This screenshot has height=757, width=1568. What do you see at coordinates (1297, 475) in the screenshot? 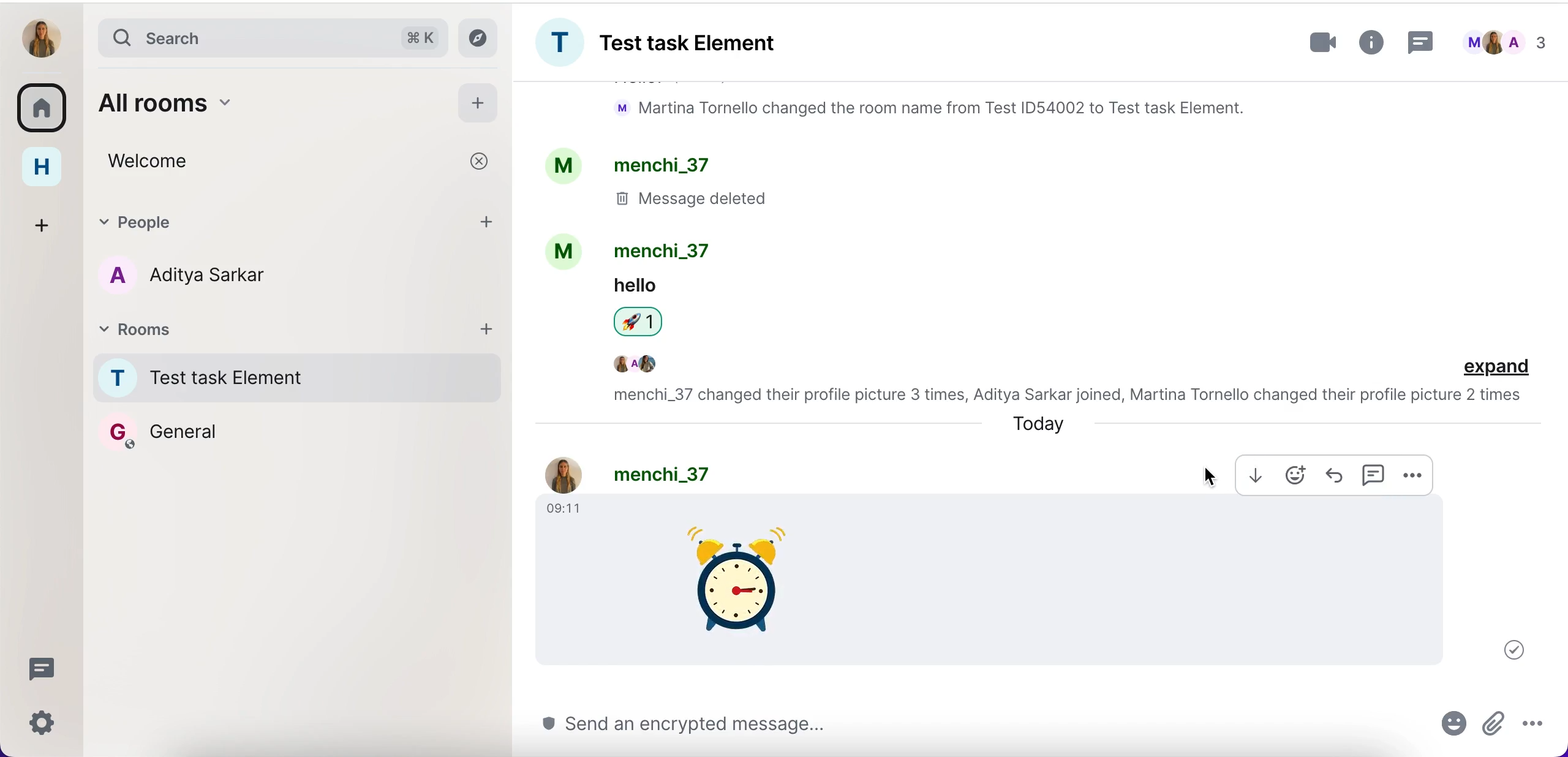
I see `react` at bounding box center [1297, 475].